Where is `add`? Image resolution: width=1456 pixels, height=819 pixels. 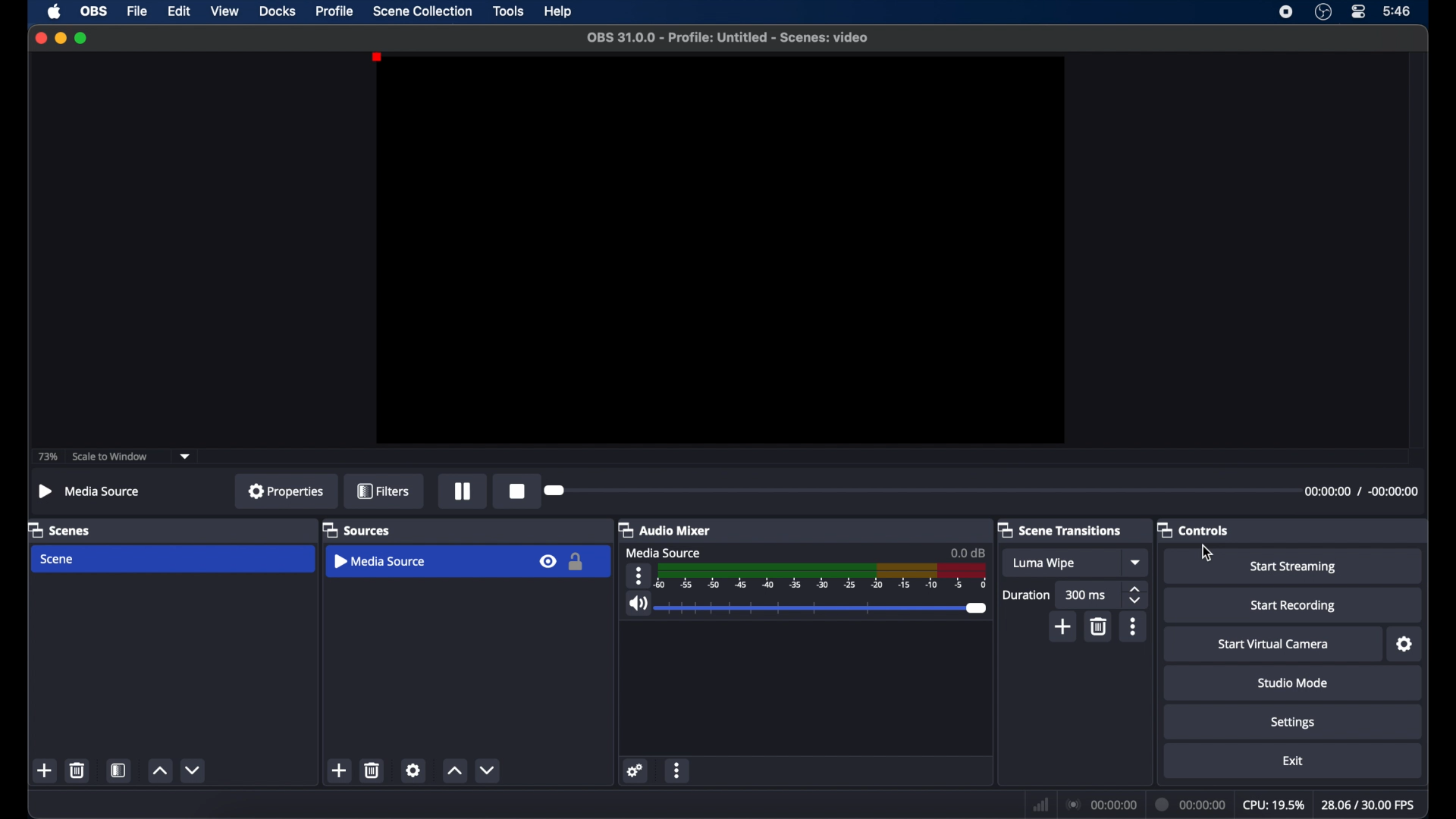
add is located at coordinates (45, 771).